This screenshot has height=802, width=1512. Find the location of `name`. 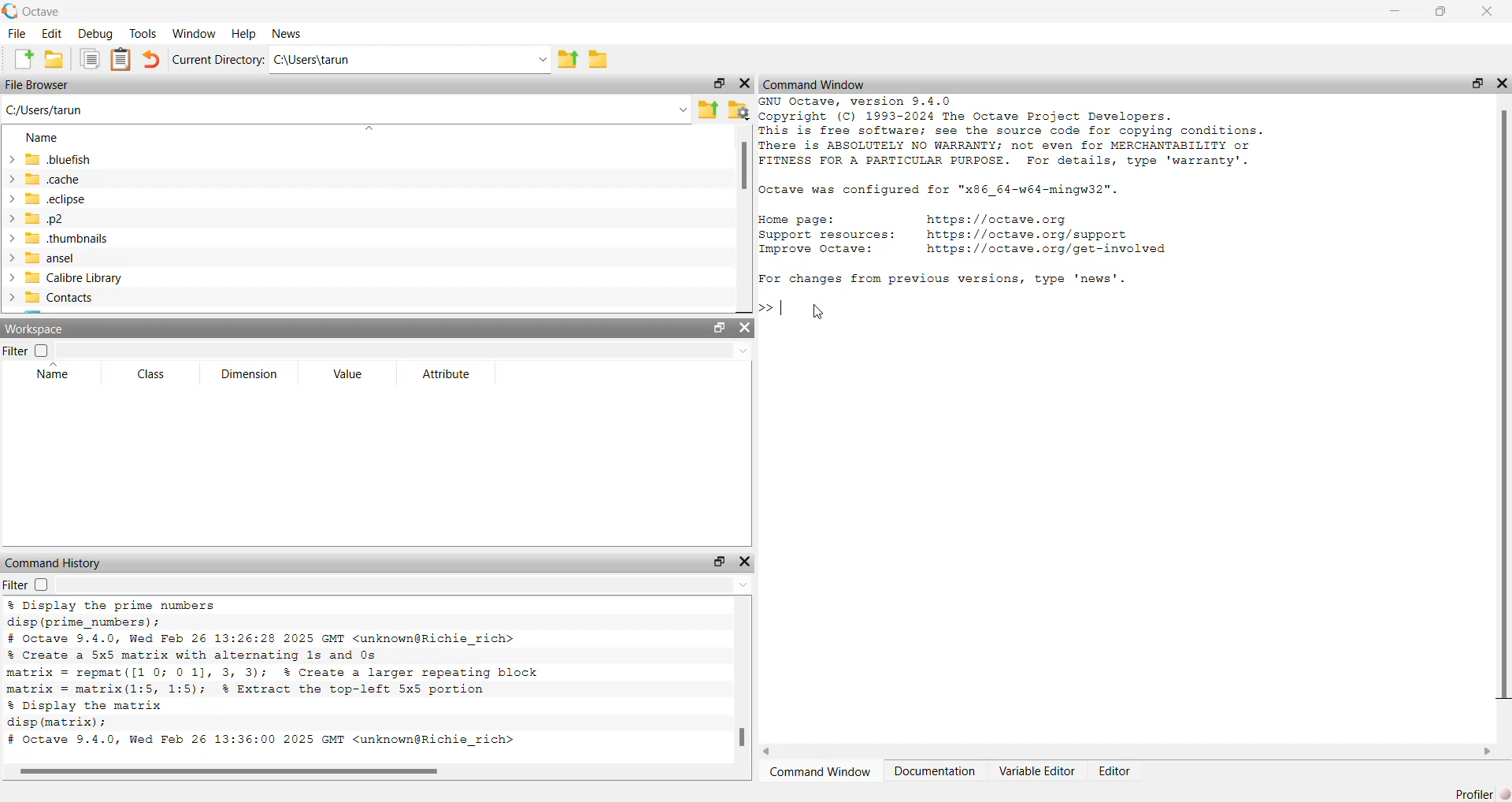

name is located at coordinates (39, 136).